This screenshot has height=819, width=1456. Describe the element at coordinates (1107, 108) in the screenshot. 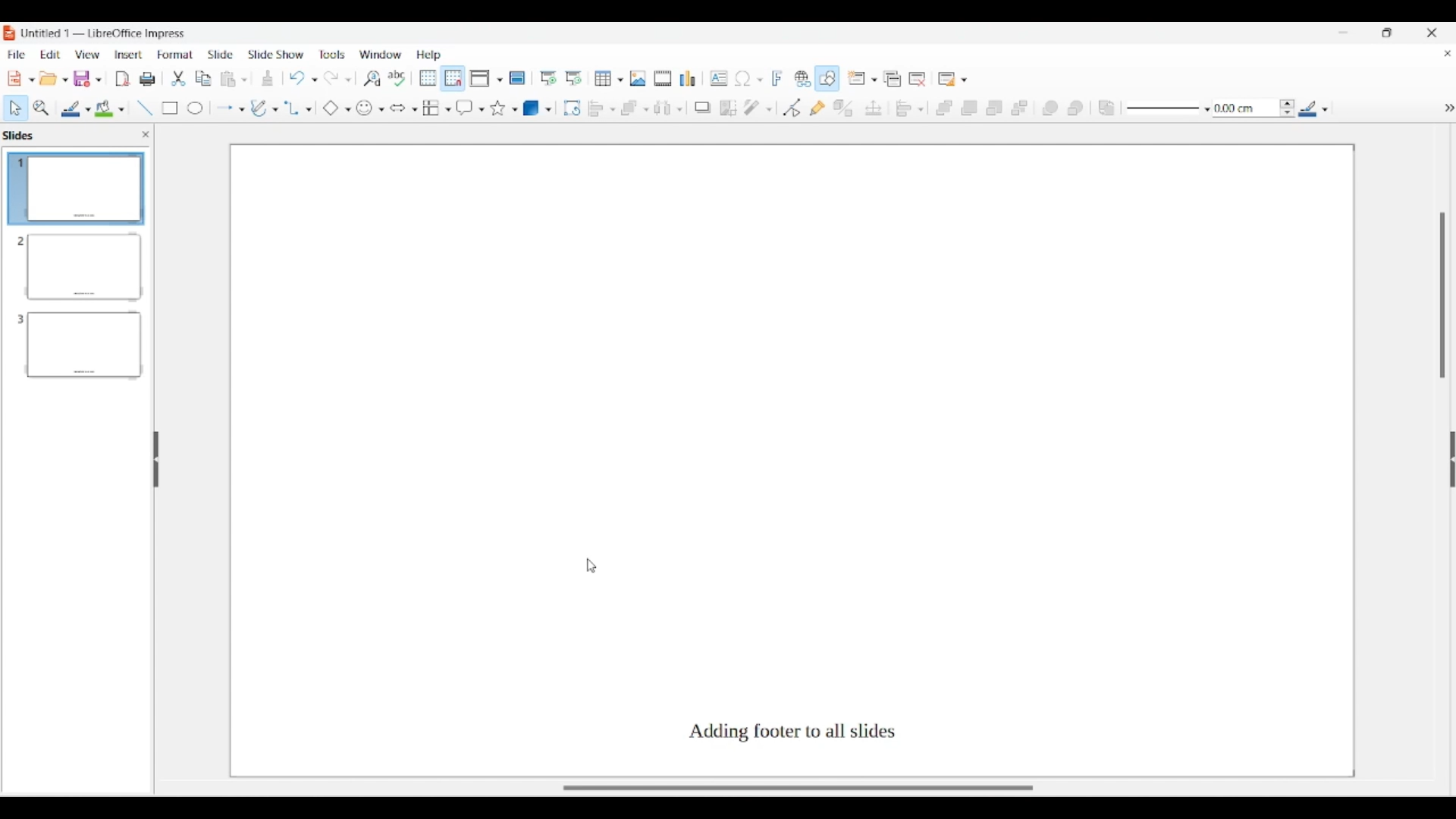

I see `Reverse` at that location.